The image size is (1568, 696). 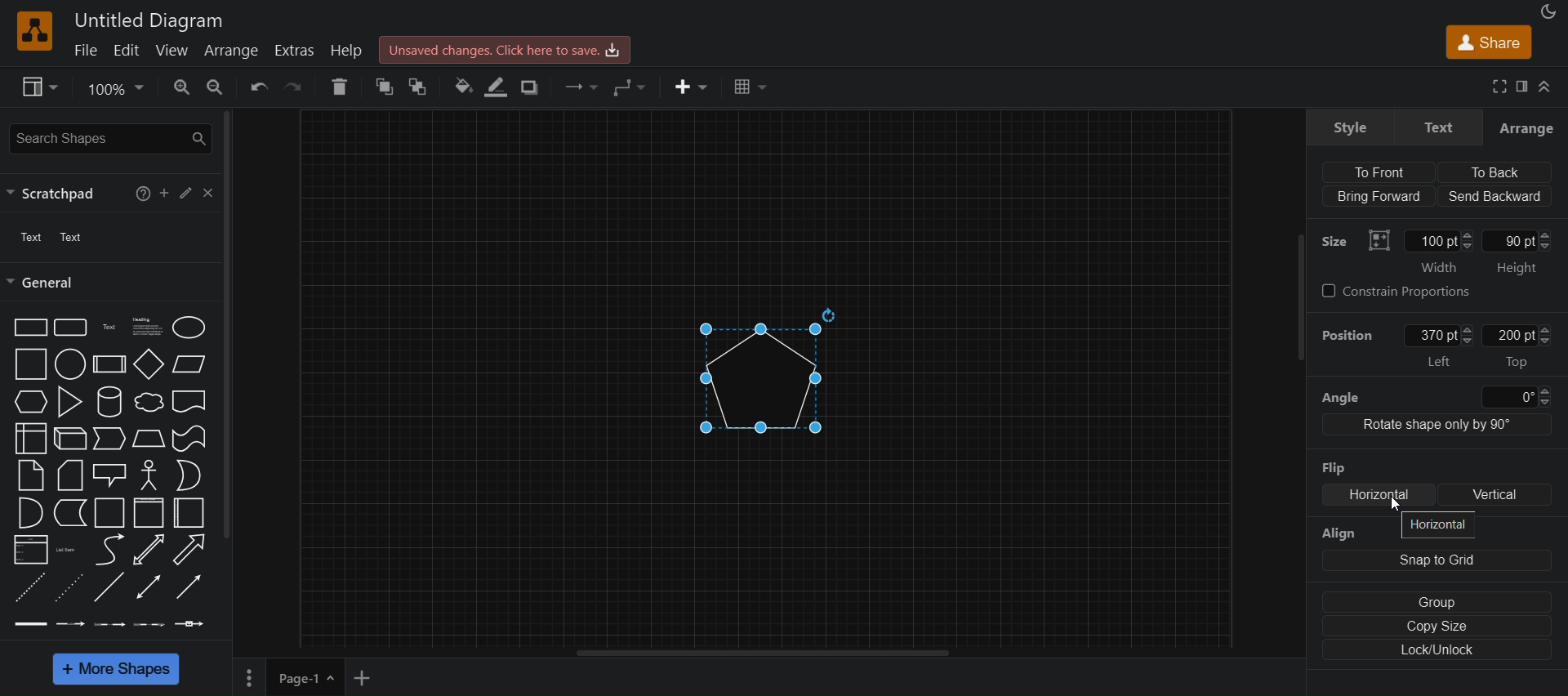 I want to click on More settings, so click(x=249, y=678).